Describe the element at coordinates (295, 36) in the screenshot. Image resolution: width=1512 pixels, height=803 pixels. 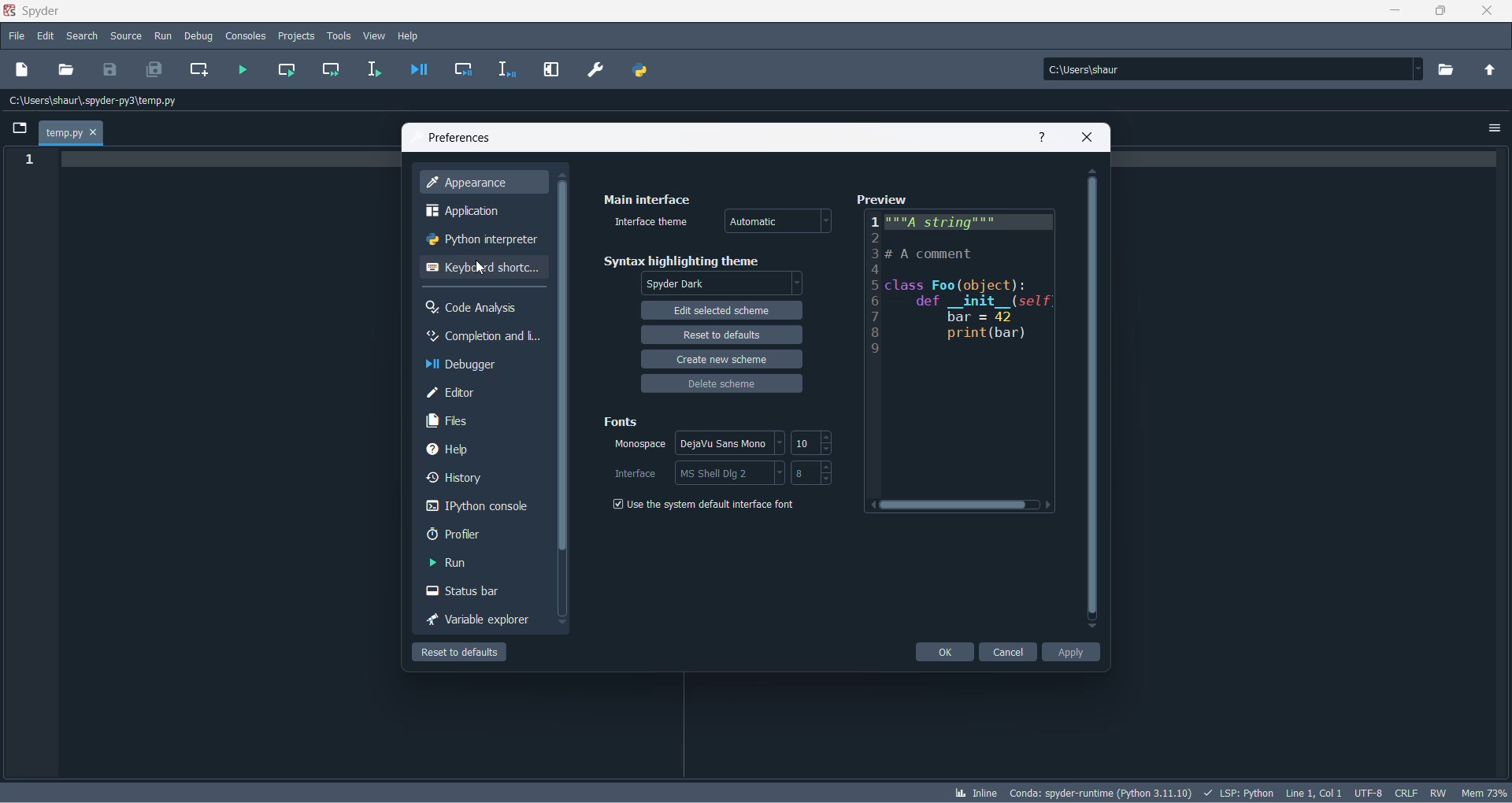
I see `projects` at that location.